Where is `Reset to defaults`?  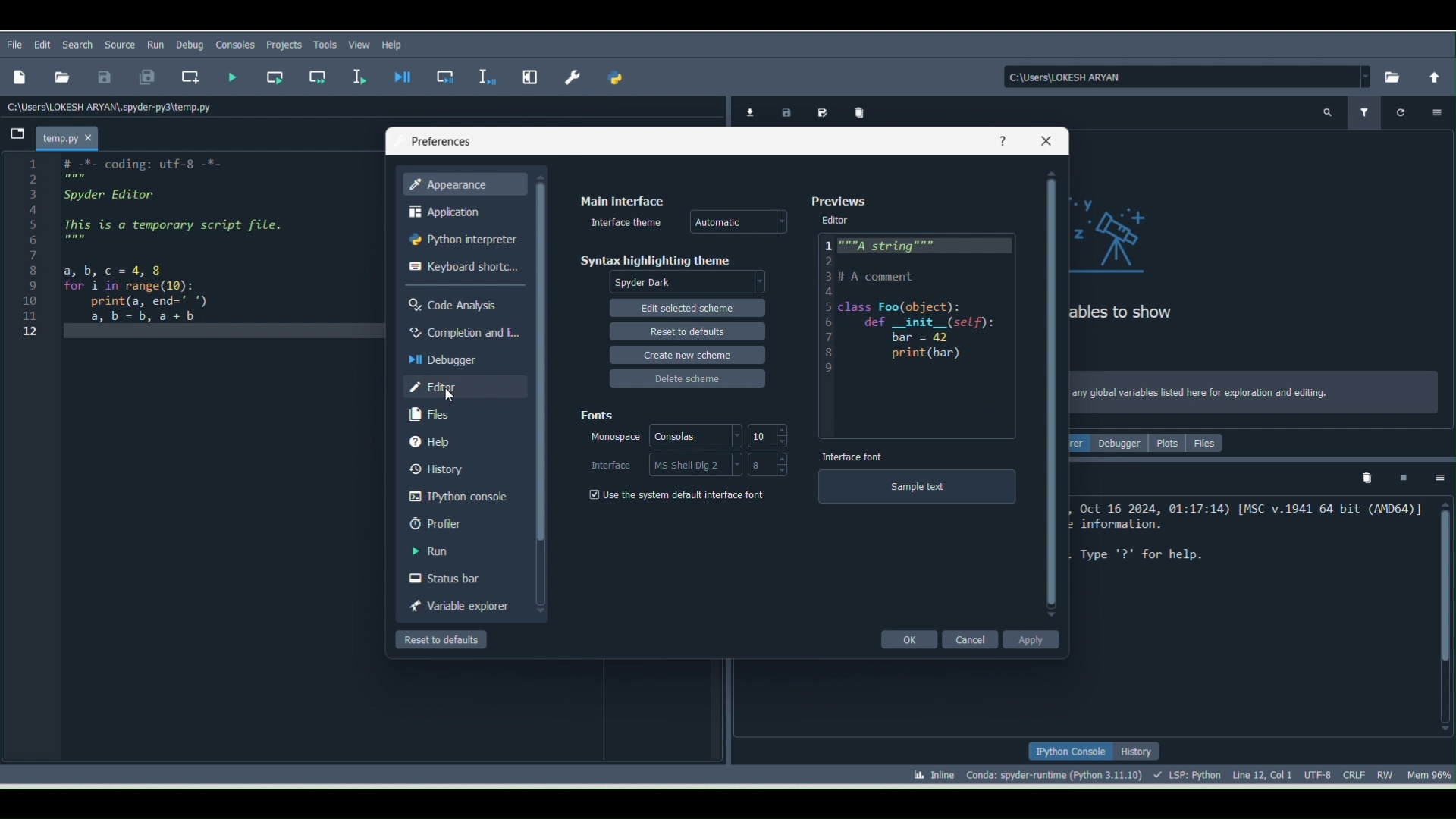 Reset to defaults is located at coordinates (686, 328).